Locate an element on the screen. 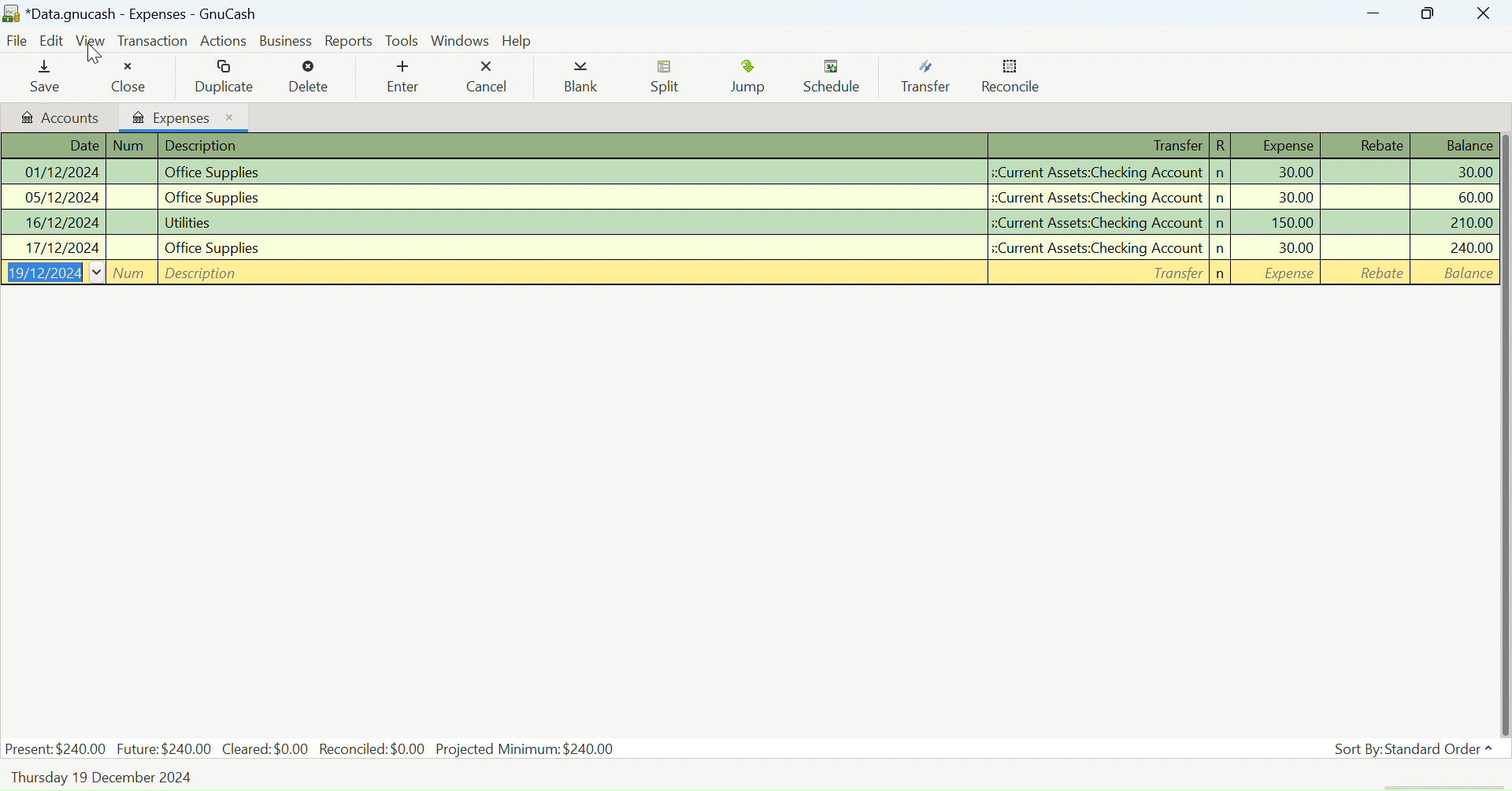 The height and width of the screenshot is (791, 1512). Utilities Transaction is located at coordinates (747, 223).